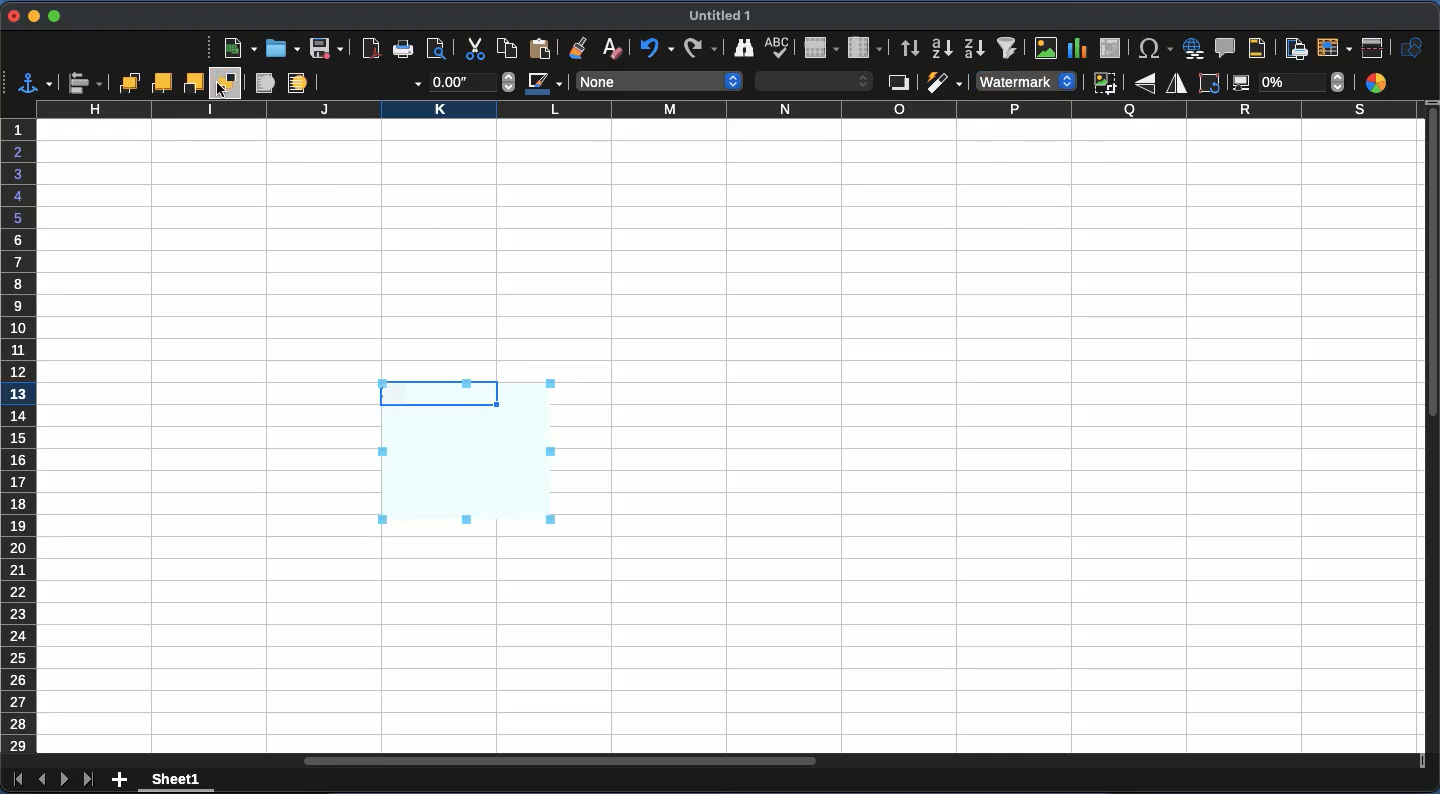 Image resolution: width=1440 pixels, height=794 pixels. Describe the element at coordinates (944, 82) in the screenshot. I see `filter` at that location.